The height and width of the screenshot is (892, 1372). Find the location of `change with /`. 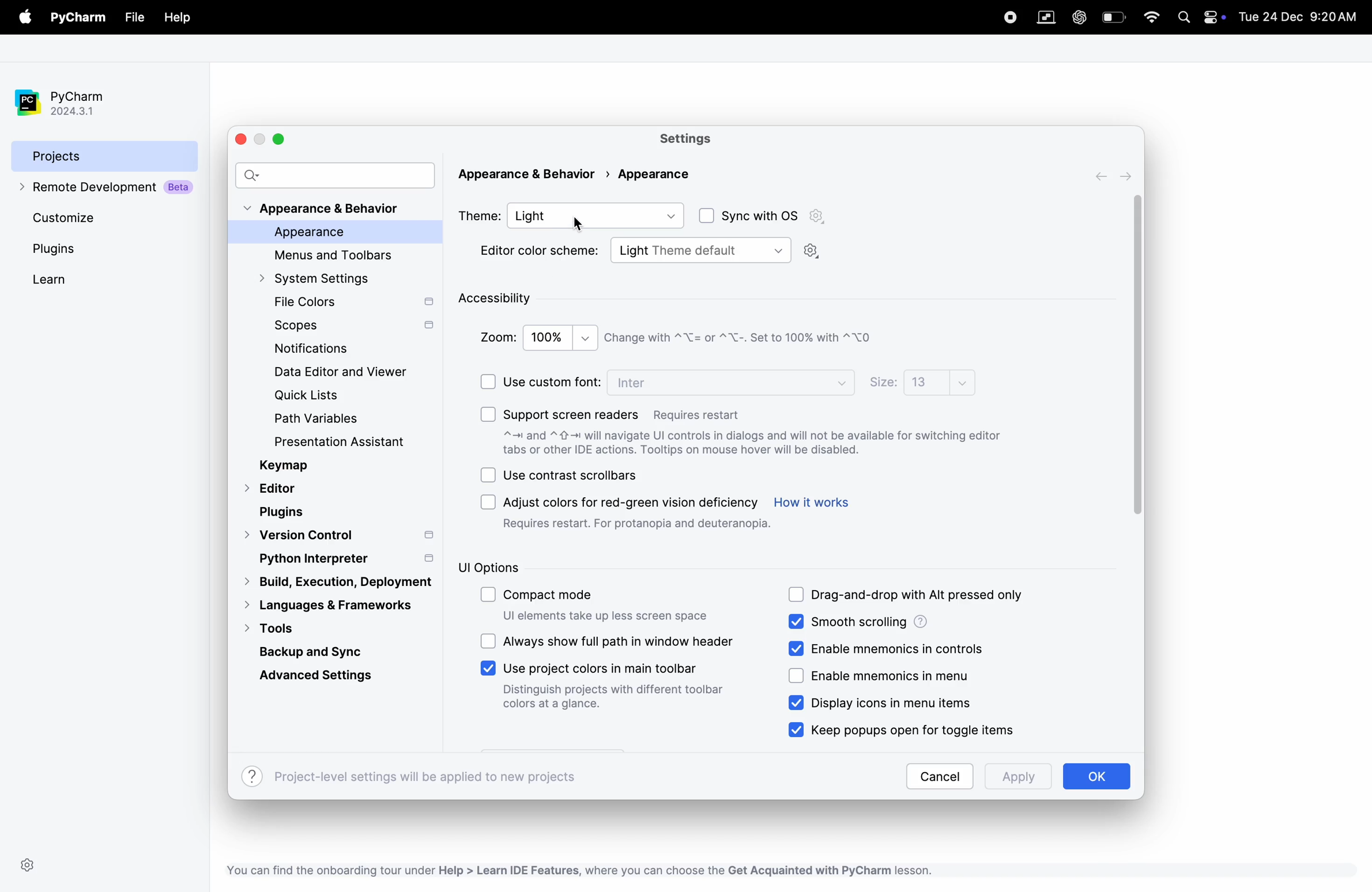

change with / is located at coordinates (742, 337).